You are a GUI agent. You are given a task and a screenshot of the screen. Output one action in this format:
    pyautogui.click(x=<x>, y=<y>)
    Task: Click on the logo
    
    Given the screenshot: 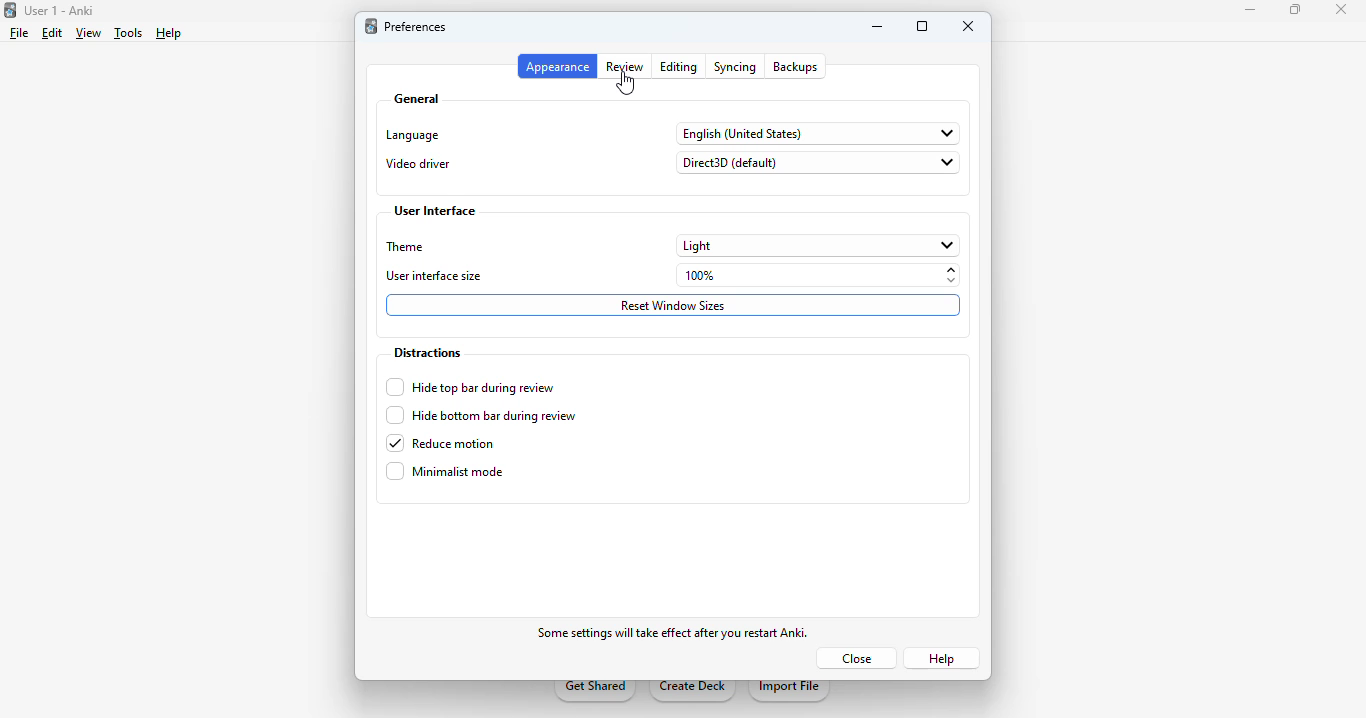 What is the action you would take?
    pyautogui.click(x=9, y=10)
    